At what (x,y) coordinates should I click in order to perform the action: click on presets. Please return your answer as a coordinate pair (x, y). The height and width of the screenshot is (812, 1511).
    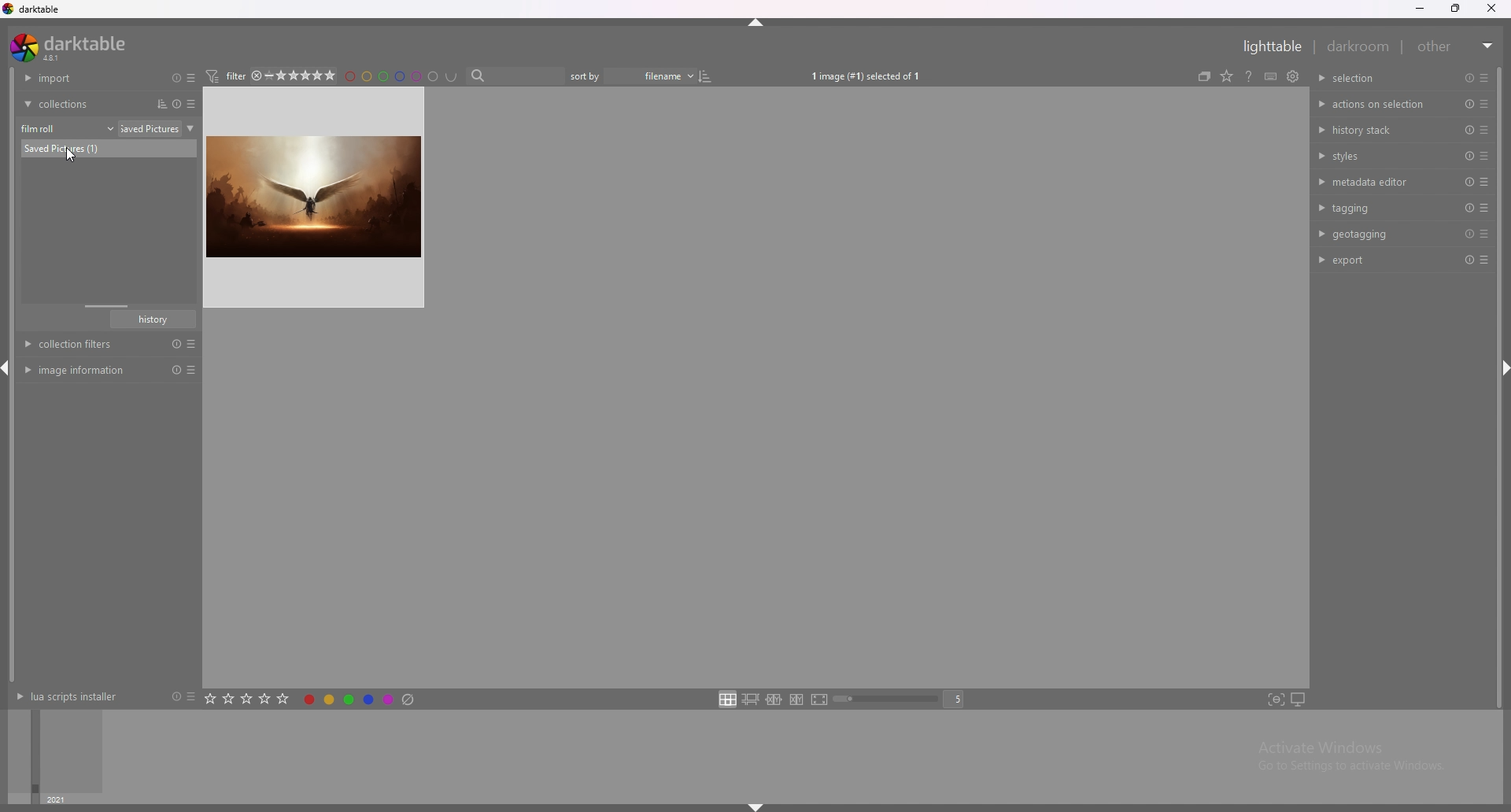
    Looking at the image, I should click on (194, 104).